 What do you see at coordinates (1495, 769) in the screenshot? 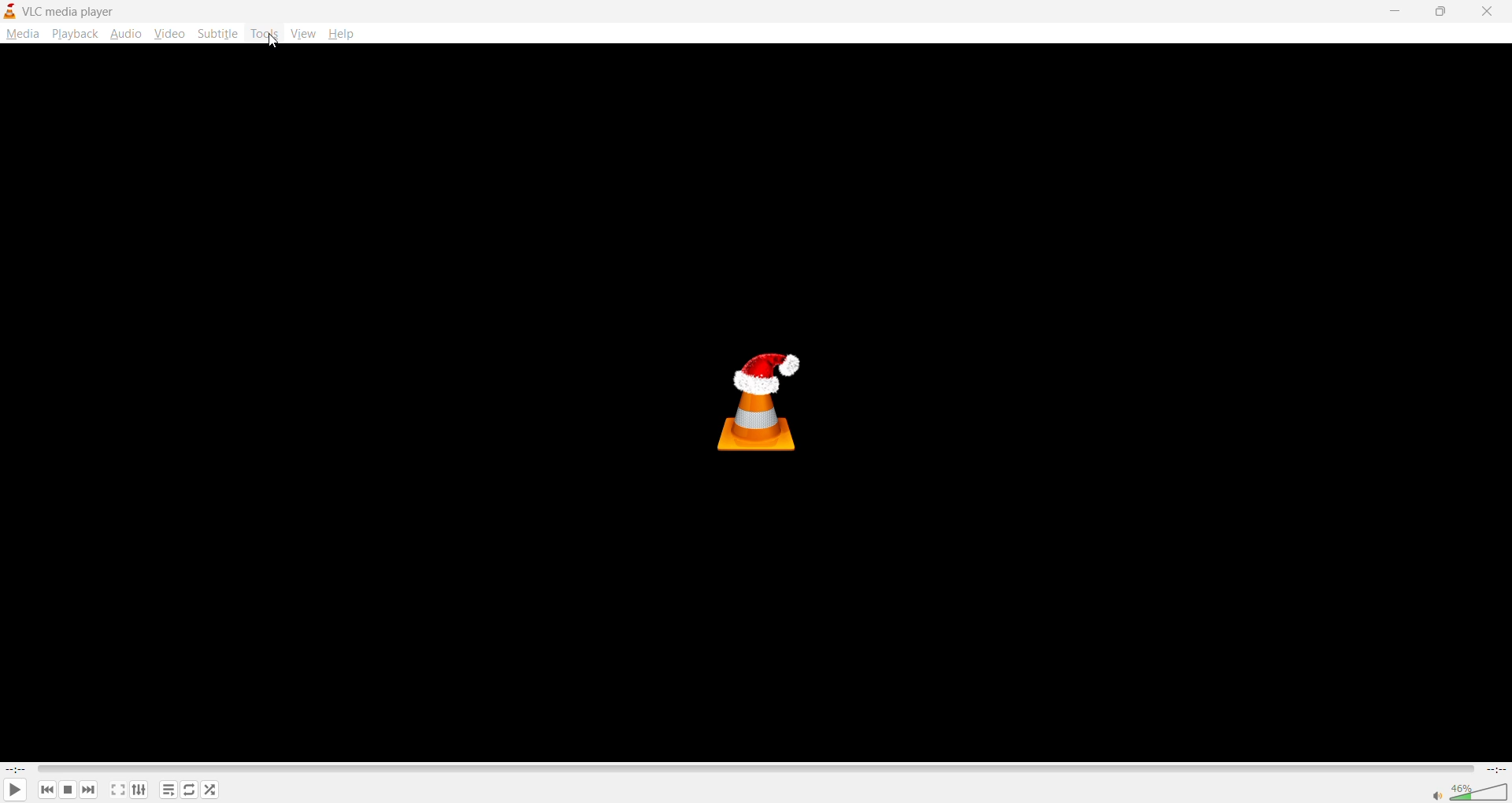
I see `total track time` at bounding box center [1495, 769].